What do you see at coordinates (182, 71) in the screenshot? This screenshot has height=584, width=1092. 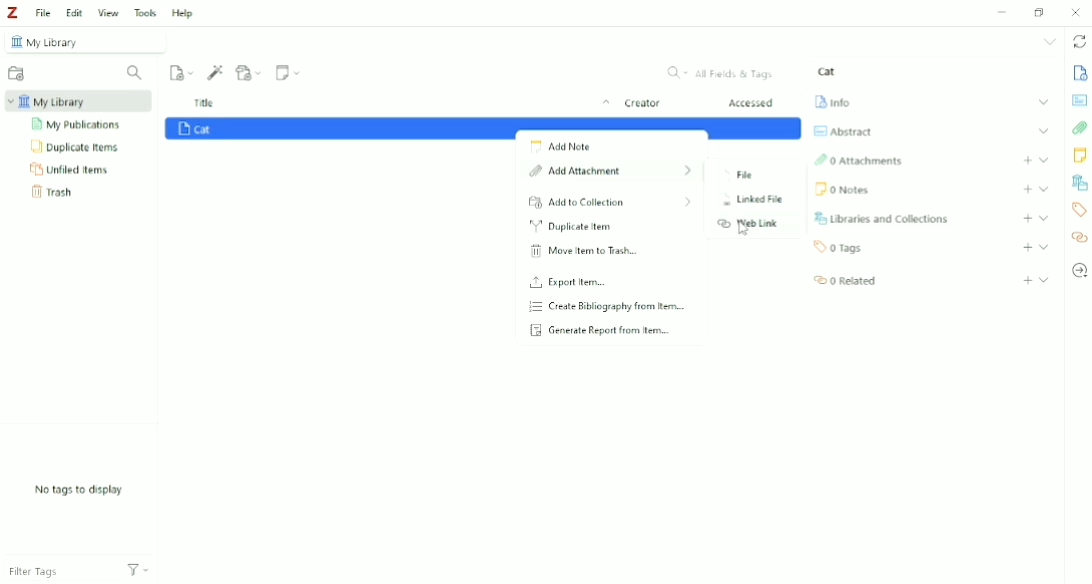 I see `New Item` at bounding box center [182, 71].